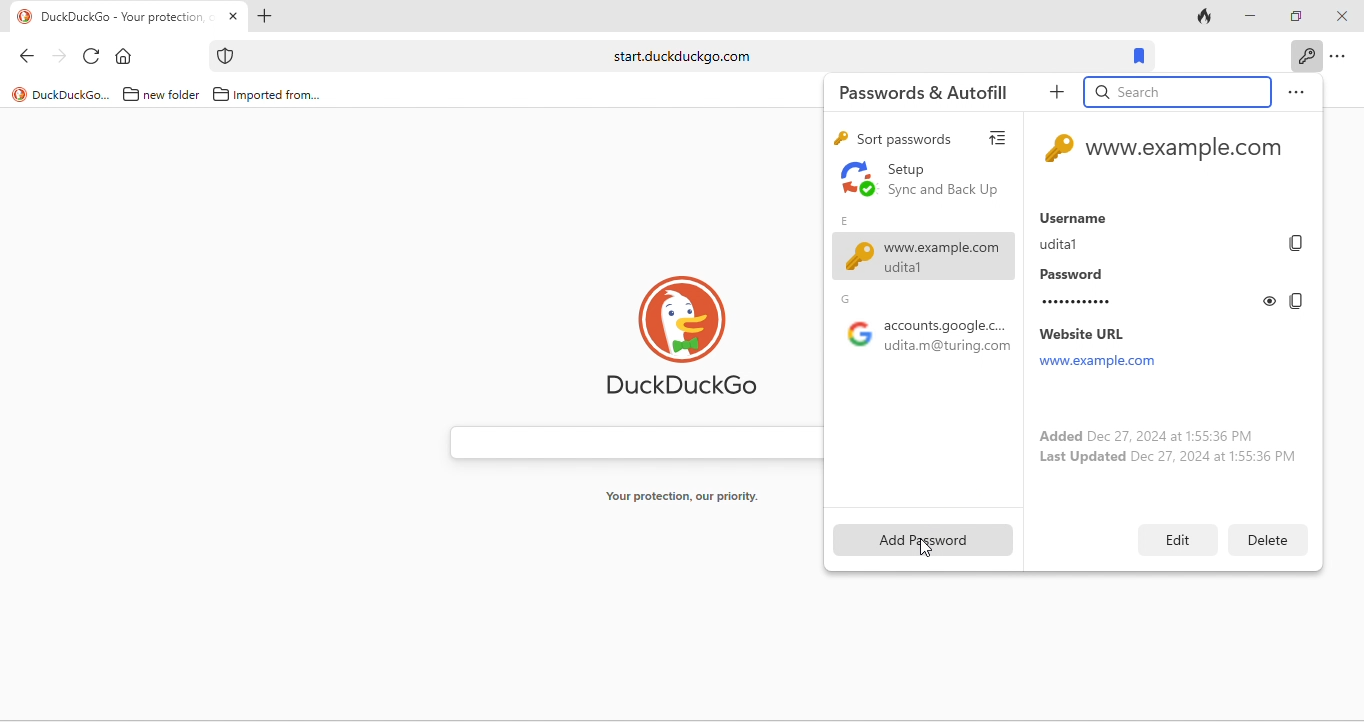 The width and height of the screenshot is (1364, 722). Describe the element at coordinates (1307, 56) in the screenshot. I see `key icon to show passwords and auto fills when clicked` at that location.